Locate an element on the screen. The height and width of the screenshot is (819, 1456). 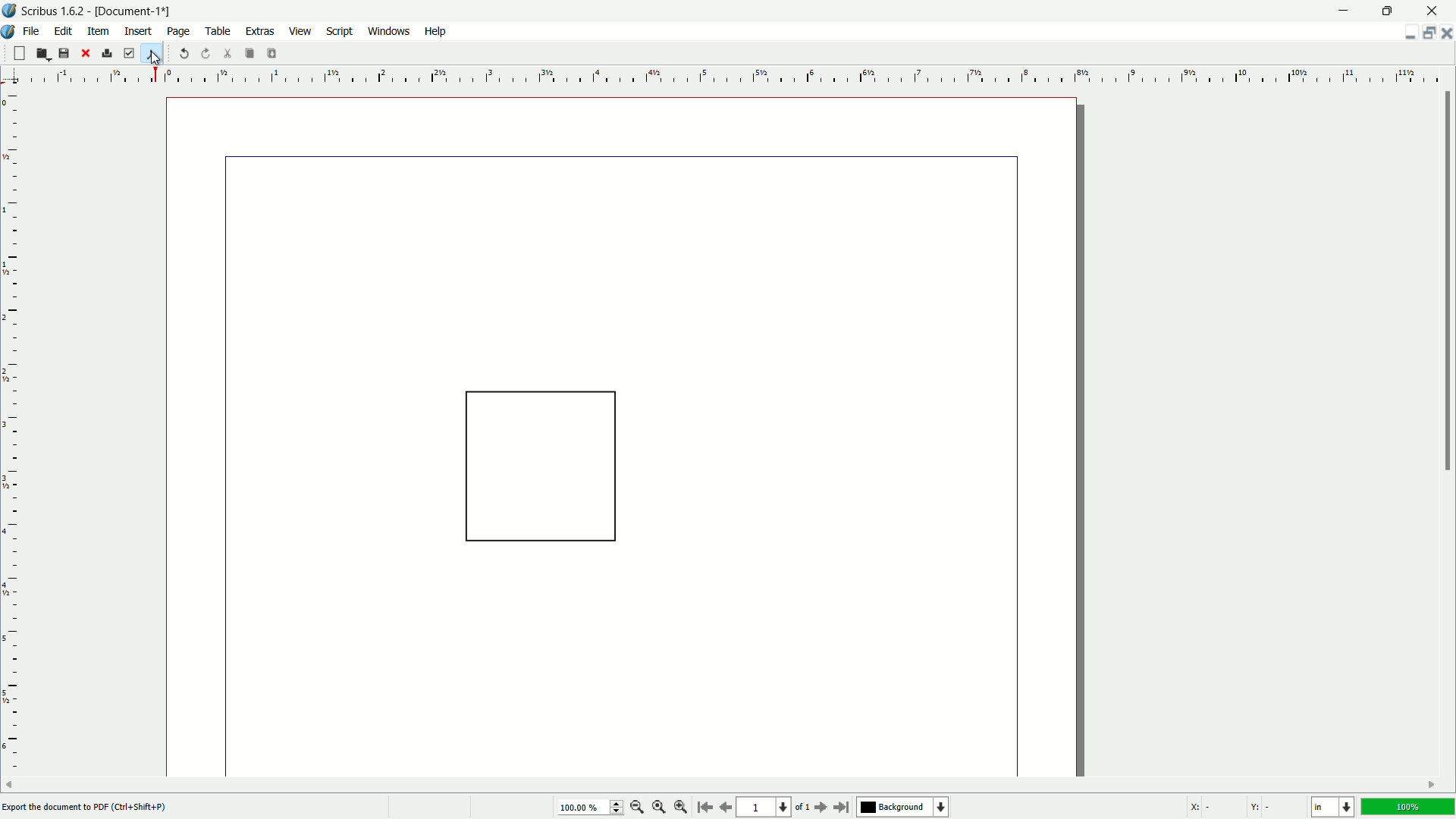
edit menu is located at coordinates (61, 32).